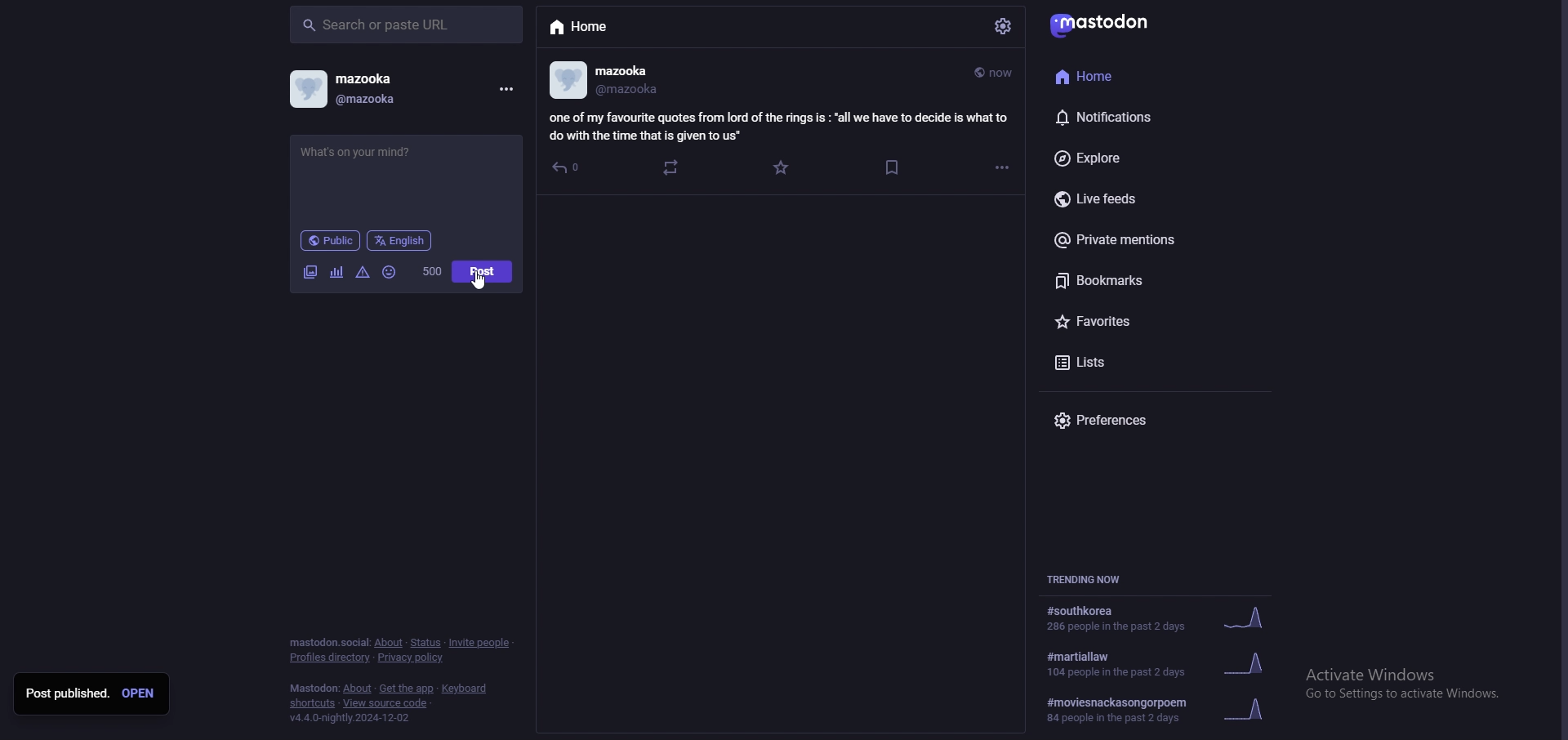 The image size is (1568, 740). What do you see at coordinates (505, 89) in the screenshot?
I see `menu` at bounding box center [505, 89].